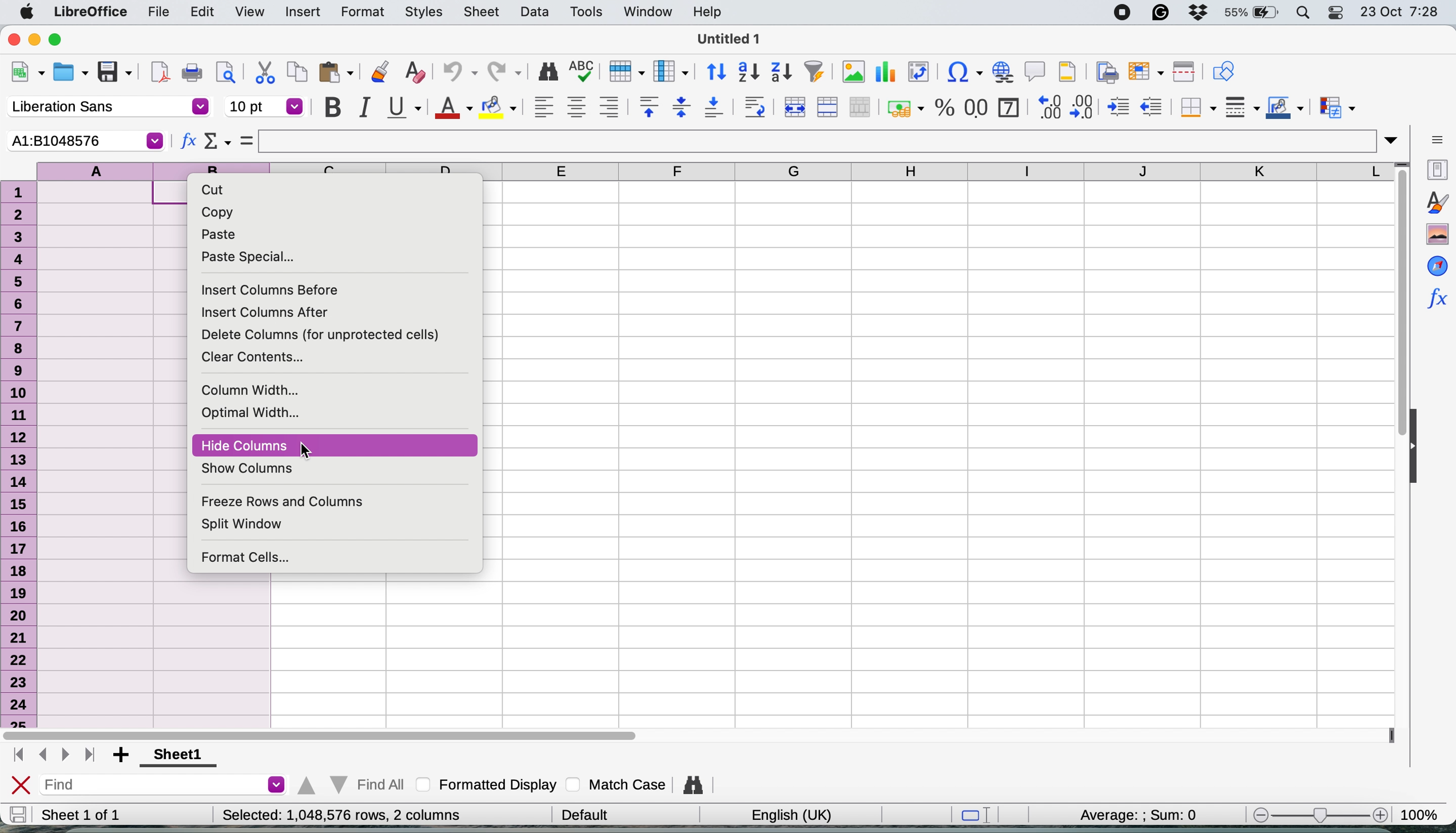 The image size is (1456, 833). I want to click on align left, so click(541, 106).